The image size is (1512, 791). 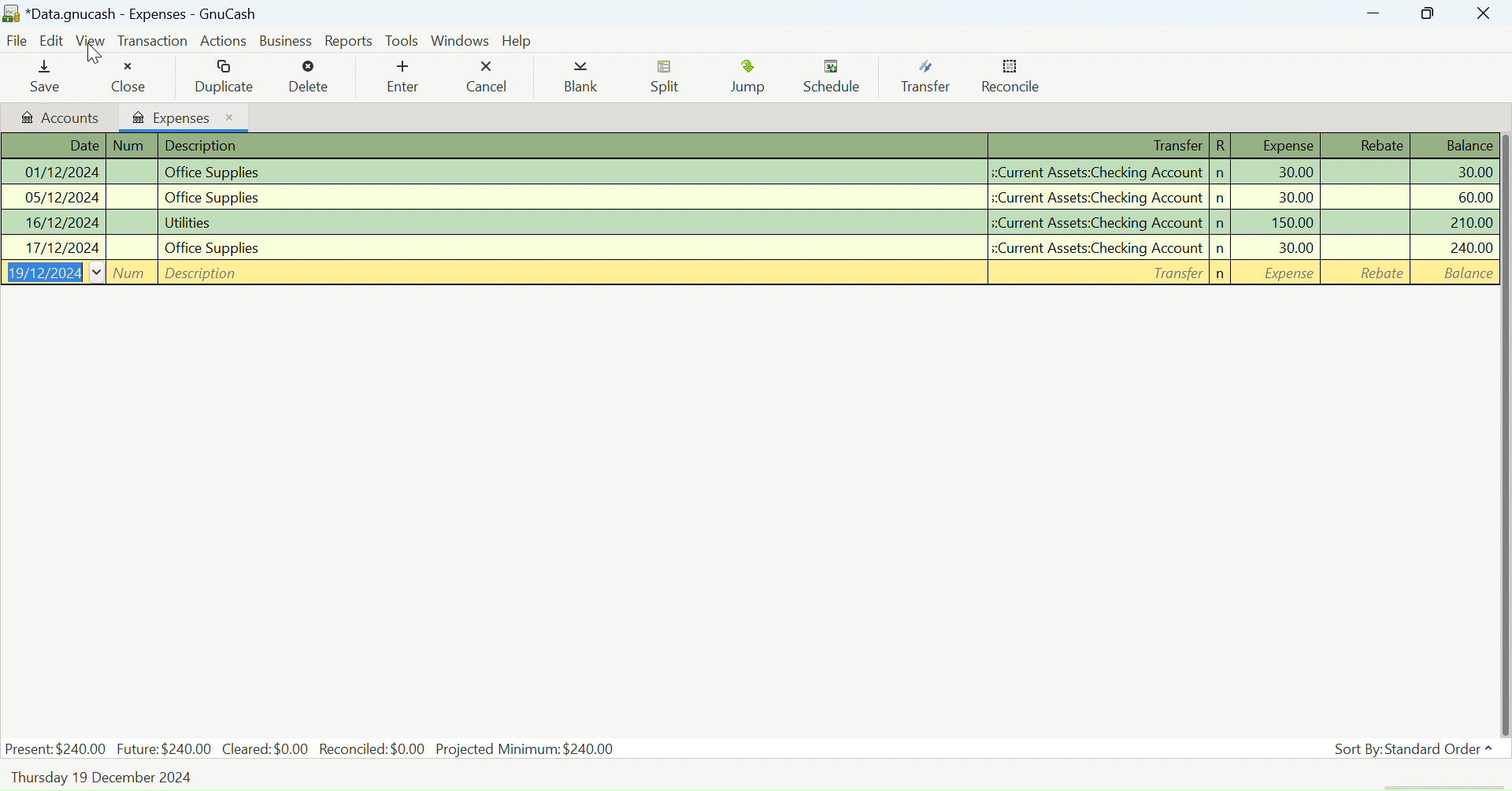 What do you see at coordinates (520, 41) in the screenshot?
I see `Help` at bounding box center [520, 41].